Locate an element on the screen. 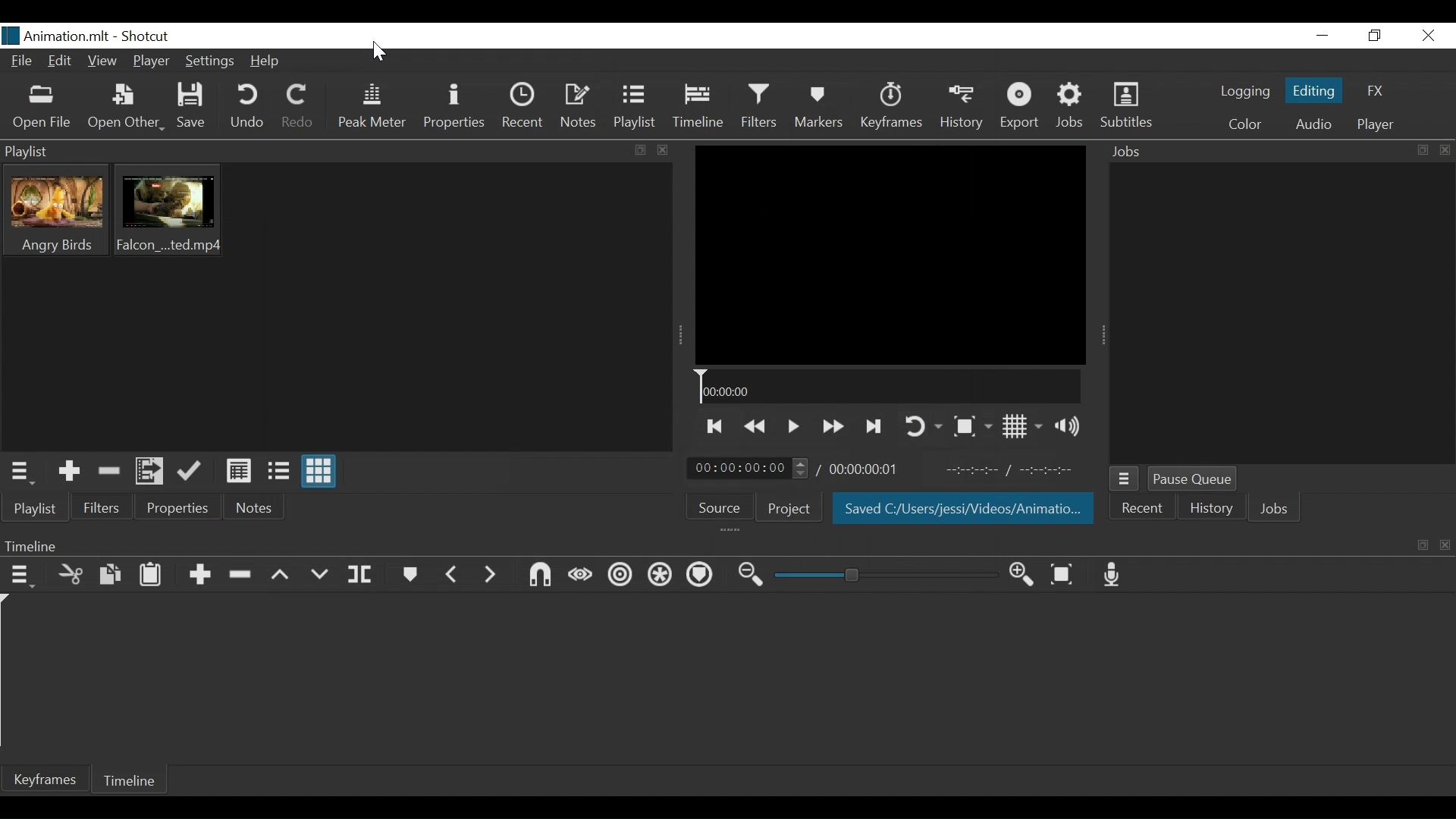 This screenshot has height=819, width=1456. Help is located at coordinates (266, 61).